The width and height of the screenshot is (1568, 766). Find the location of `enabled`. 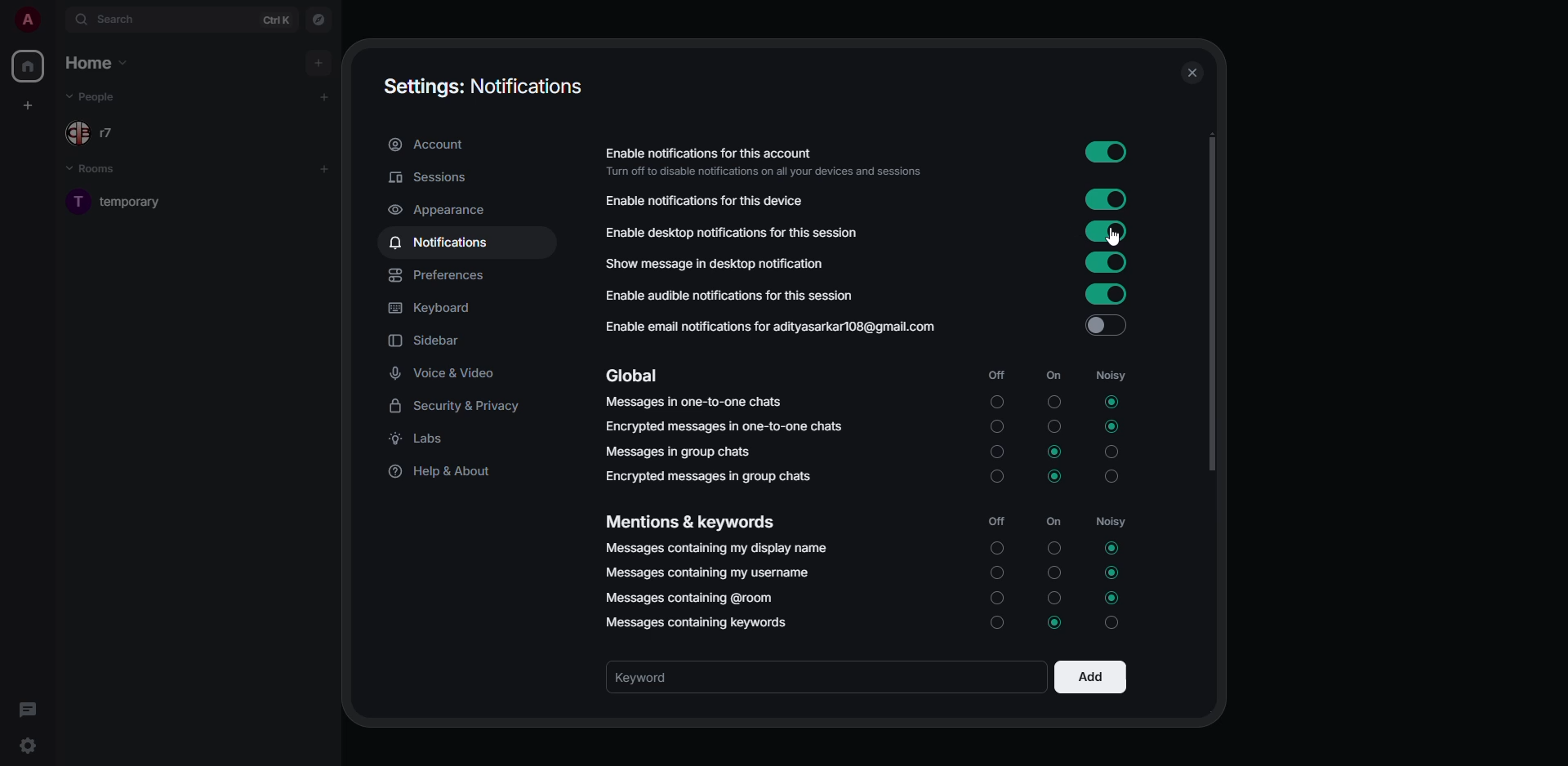

enabled is located at coordinates (1105, 294).